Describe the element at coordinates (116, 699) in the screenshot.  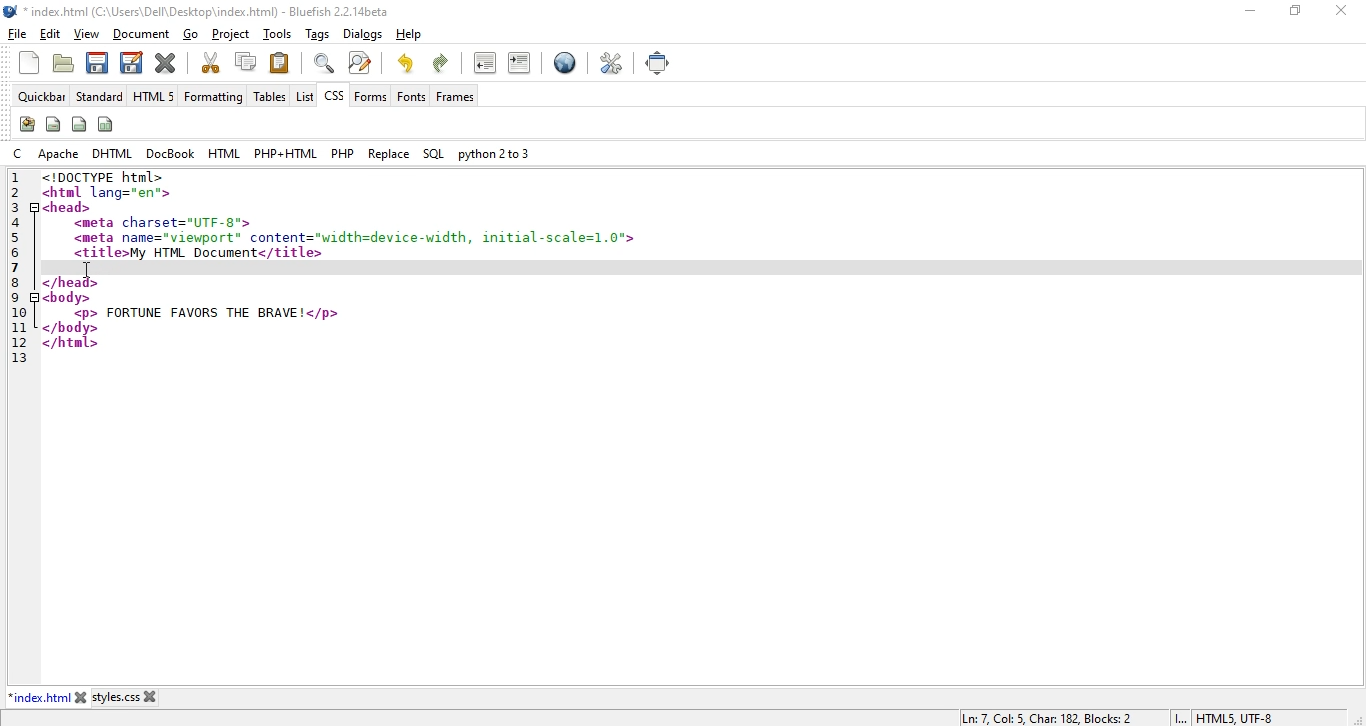
I see `styles.css` at that location.